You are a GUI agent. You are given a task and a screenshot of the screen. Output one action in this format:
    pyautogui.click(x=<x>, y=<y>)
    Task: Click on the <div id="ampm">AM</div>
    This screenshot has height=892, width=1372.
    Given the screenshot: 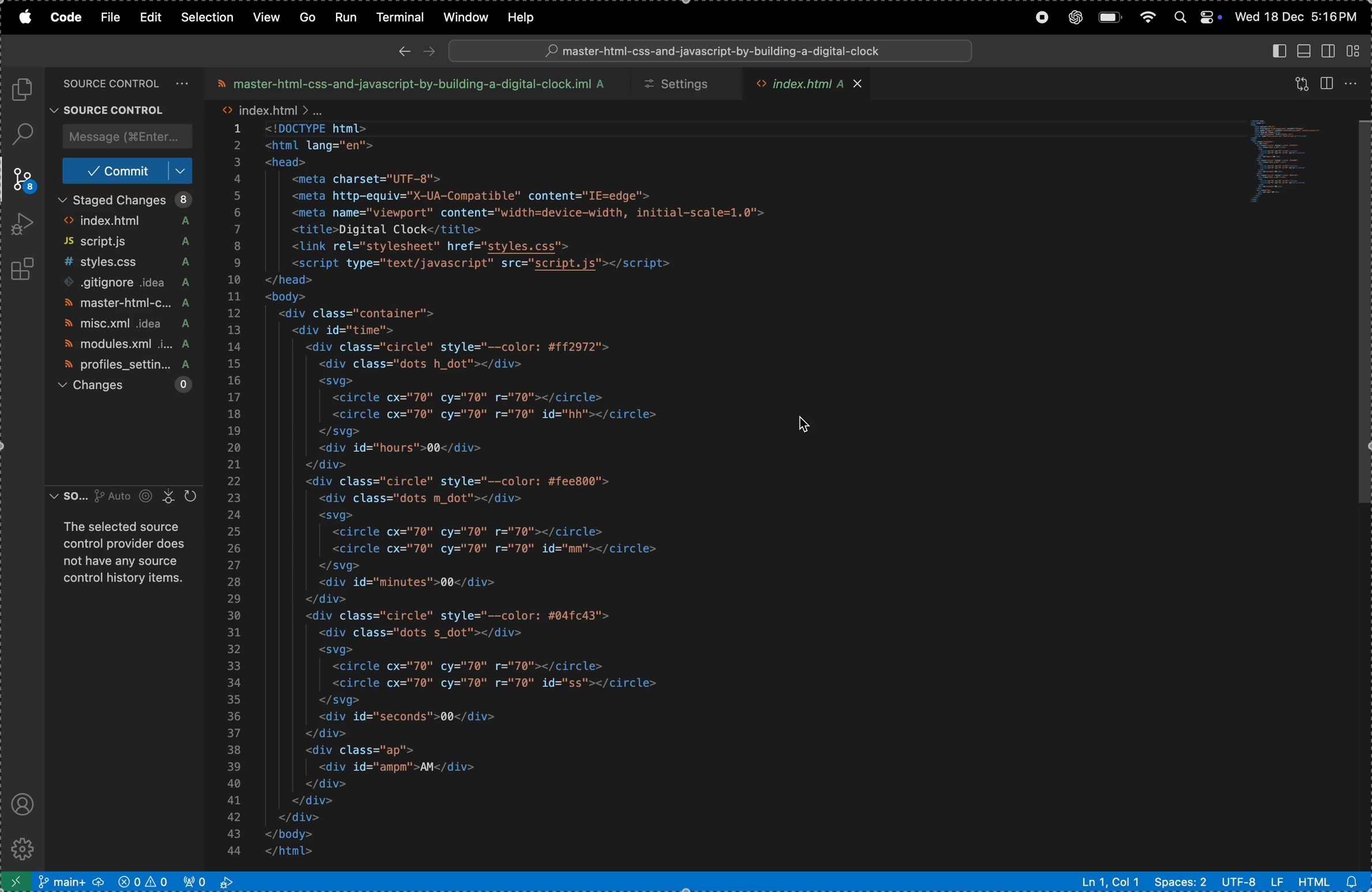 What is the action you would take?
    pyautogui.click(x=404, y=767)
    